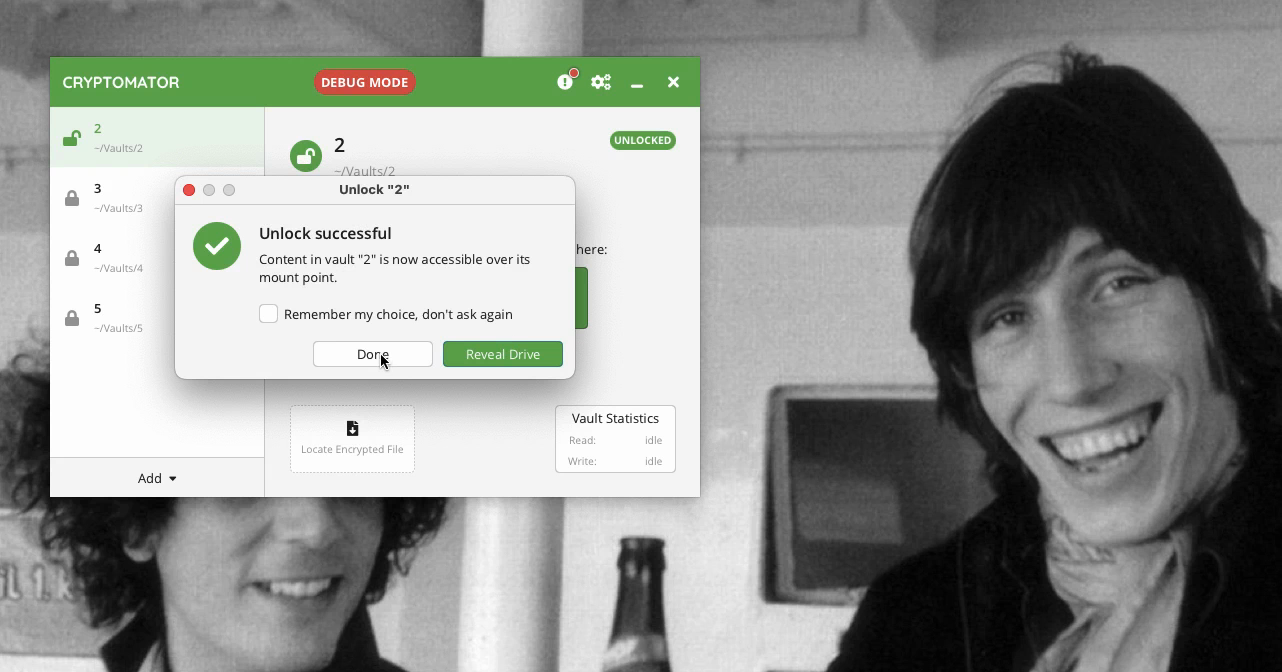 The image size is (1282, 672). What do you see at coordinates (616, 439) in the screenshot?
I see `Vault Statistics` at bounding box center [616, 439].